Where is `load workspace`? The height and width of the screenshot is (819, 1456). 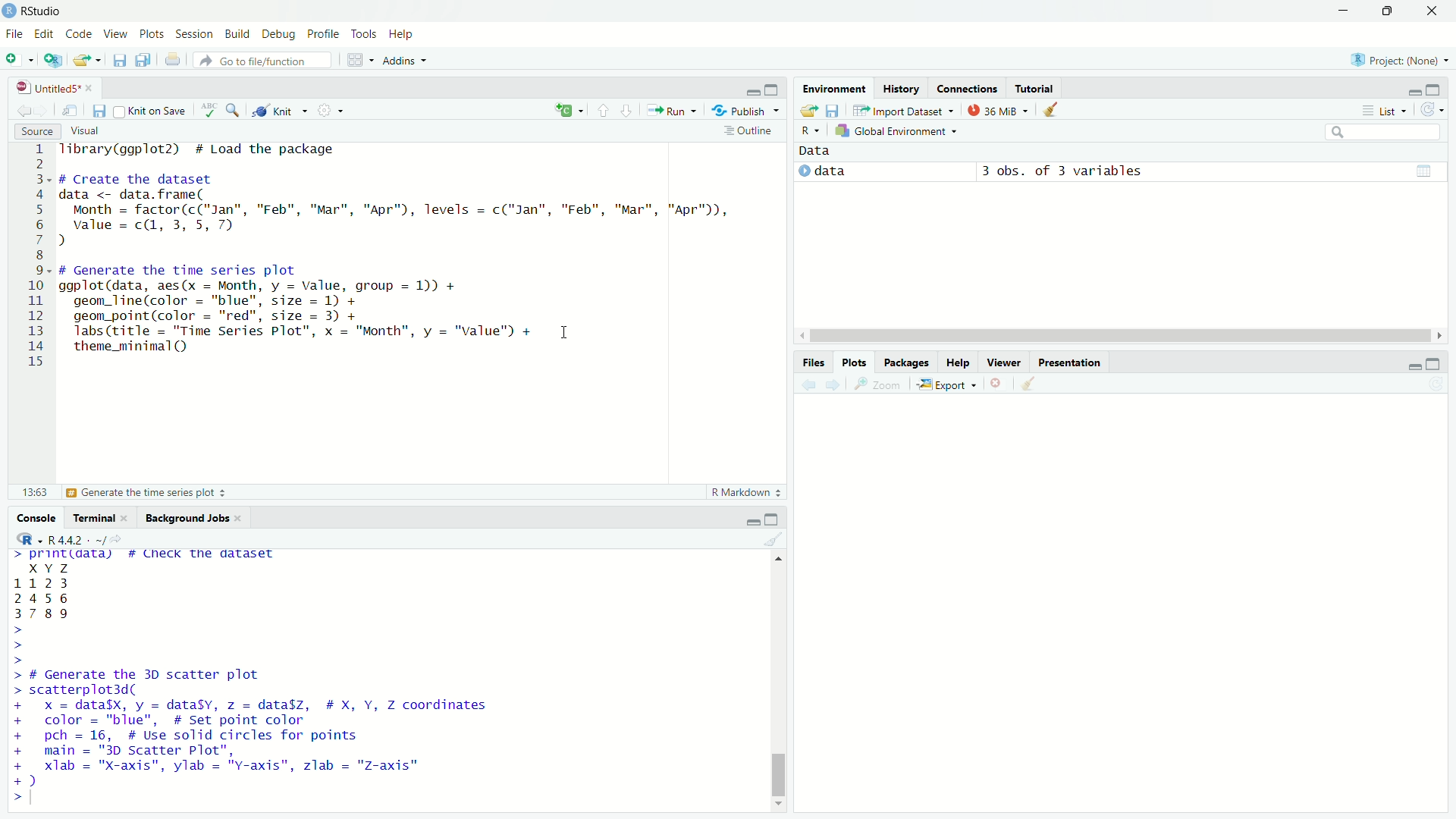 load workspace is located at coordinates (811, 111).